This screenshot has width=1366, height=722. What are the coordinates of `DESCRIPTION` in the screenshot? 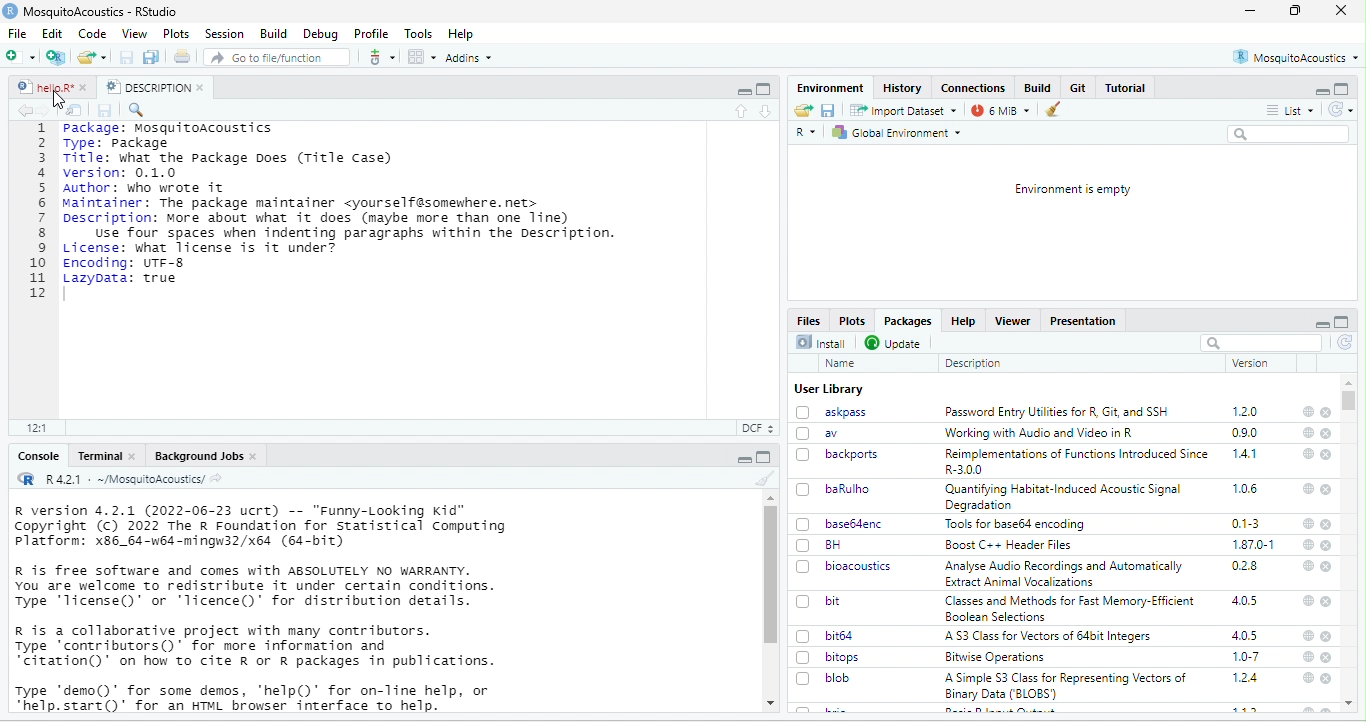 It's located at (154, 87).